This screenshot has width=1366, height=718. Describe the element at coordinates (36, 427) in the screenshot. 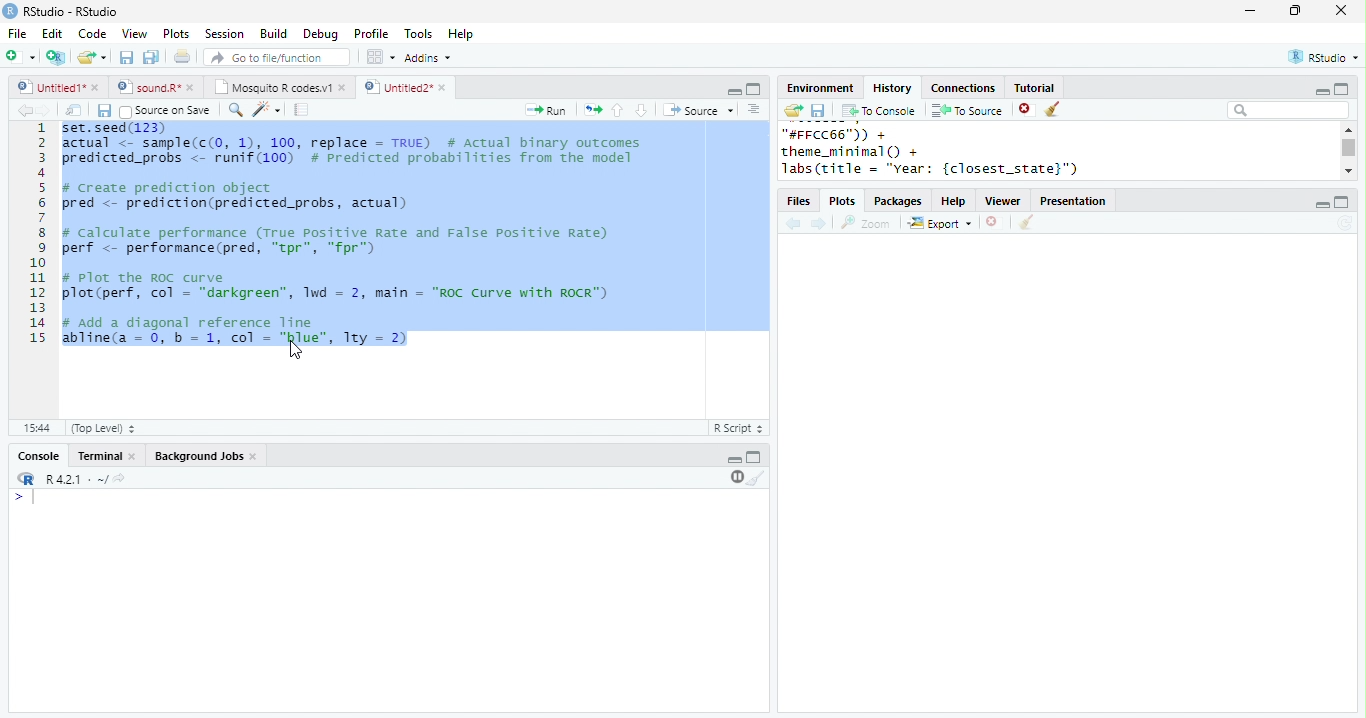

I see `15:44` at that location.